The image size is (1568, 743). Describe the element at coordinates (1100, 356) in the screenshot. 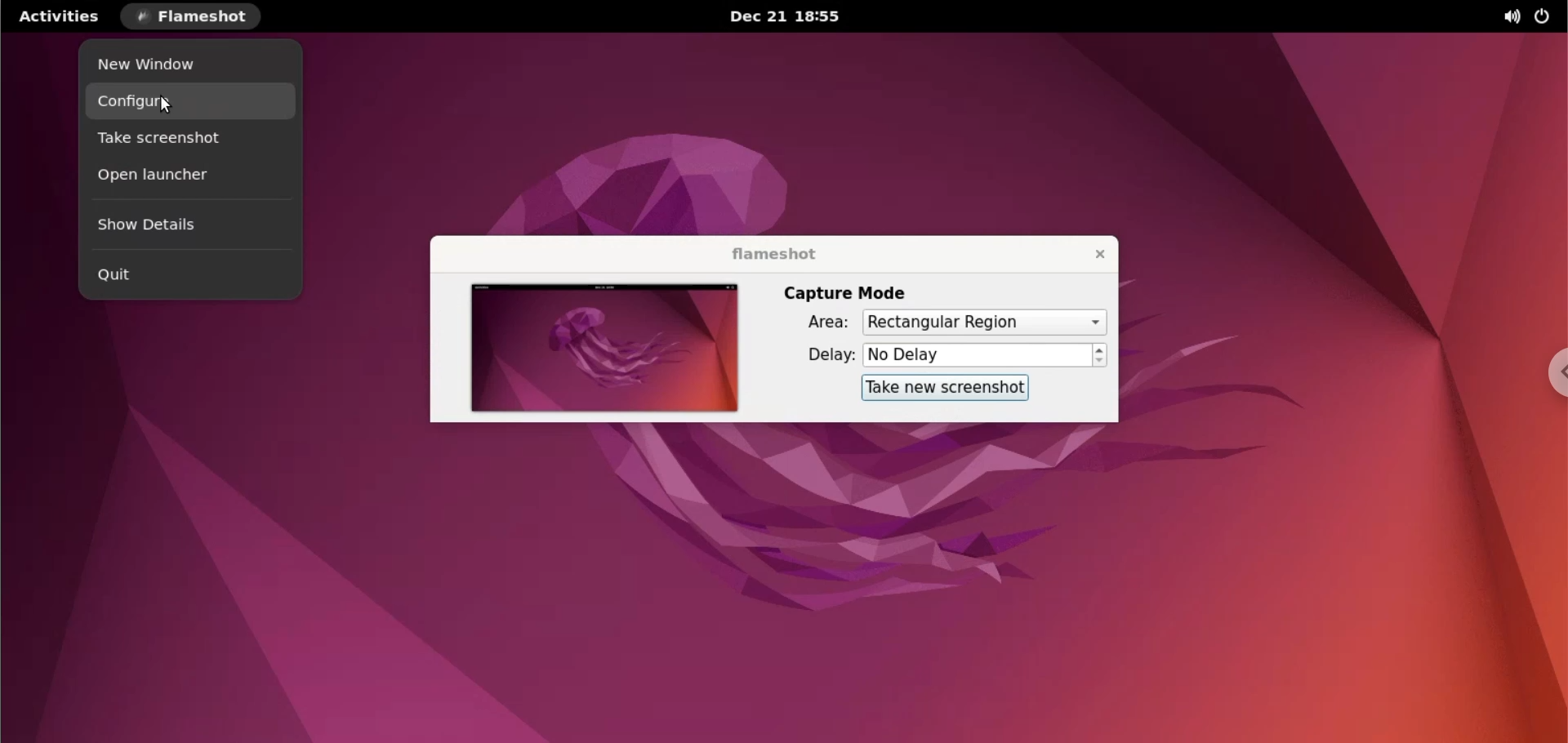

I see `increment or decrement delay` at that location.